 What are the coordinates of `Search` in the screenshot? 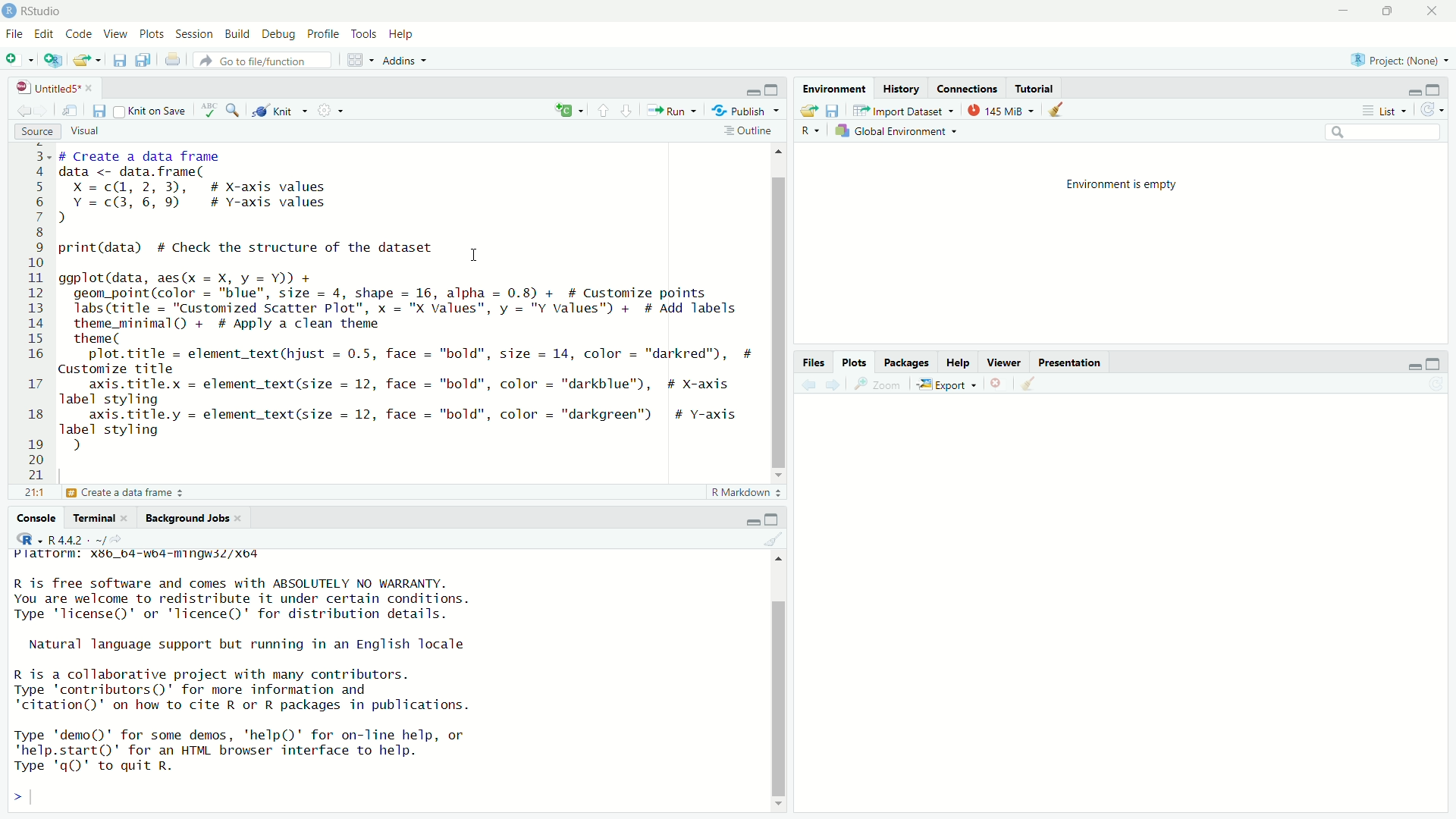 It's located at (1382, 131).